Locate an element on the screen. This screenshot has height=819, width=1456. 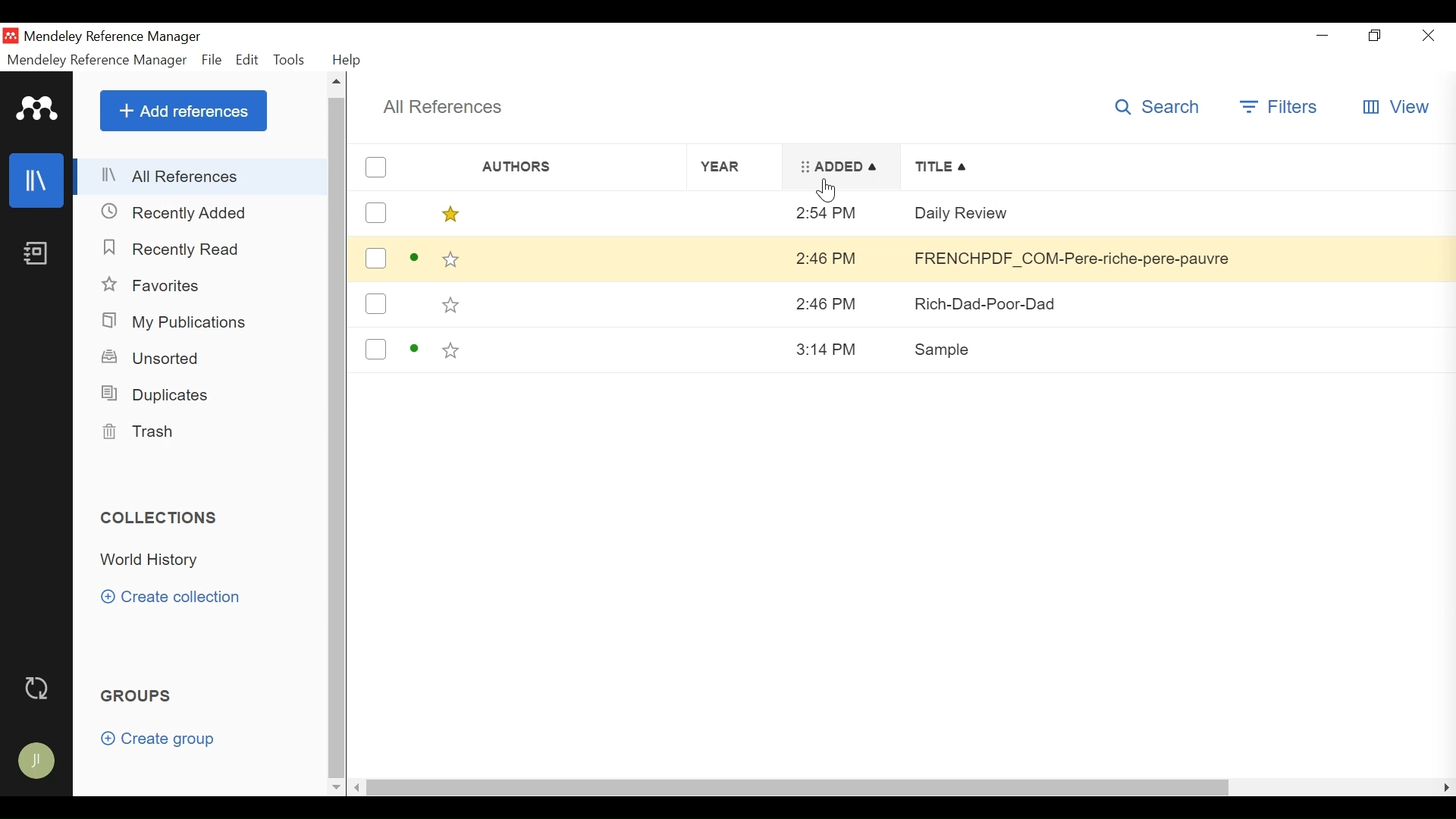
Cursor is located at coordinates (829, 190).